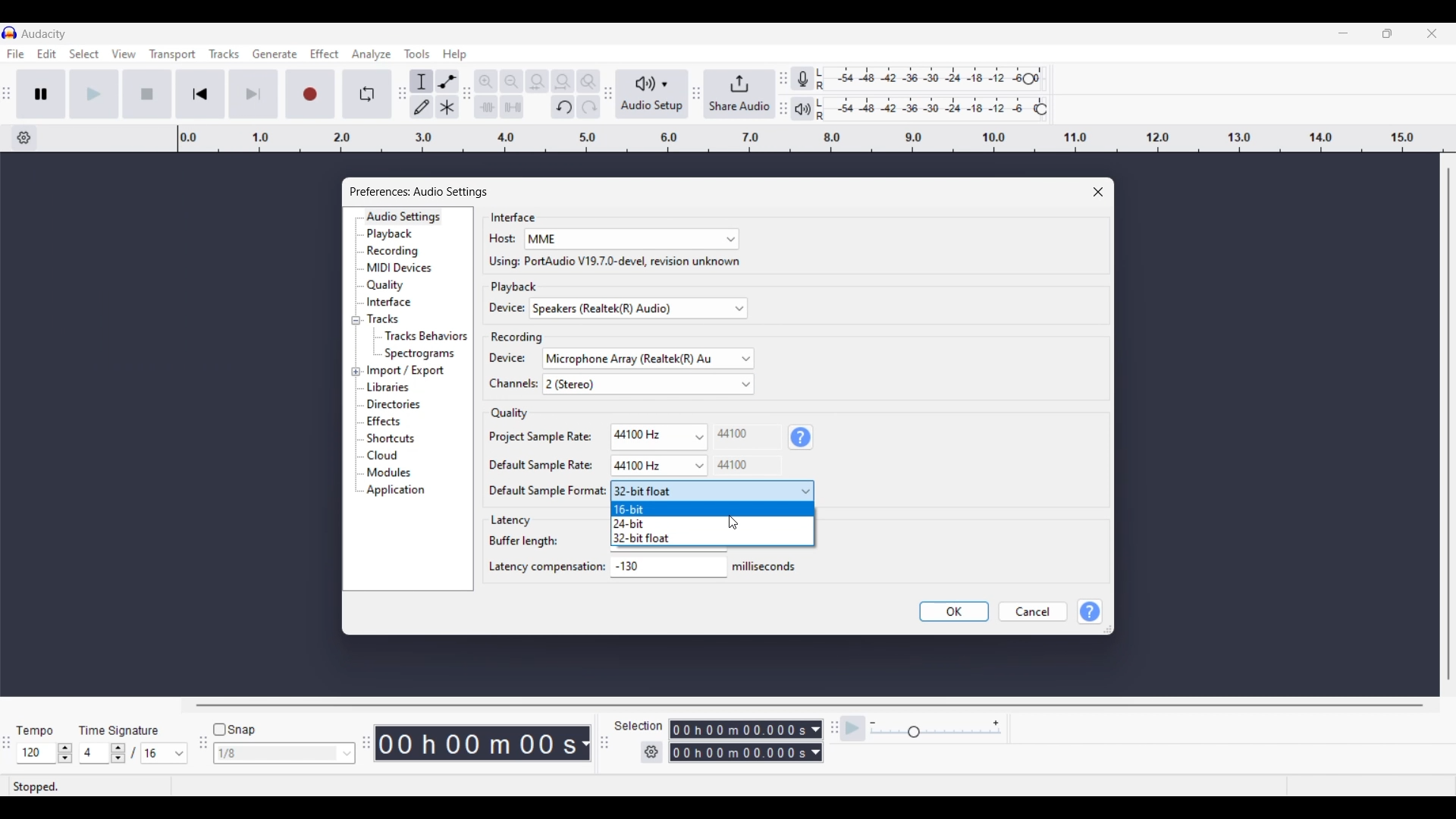 The height and width of the screenshot is (819, 1456). Describe the element at coordinates (447, 81) in the screenshot. I see `Envelop tool` at that location.